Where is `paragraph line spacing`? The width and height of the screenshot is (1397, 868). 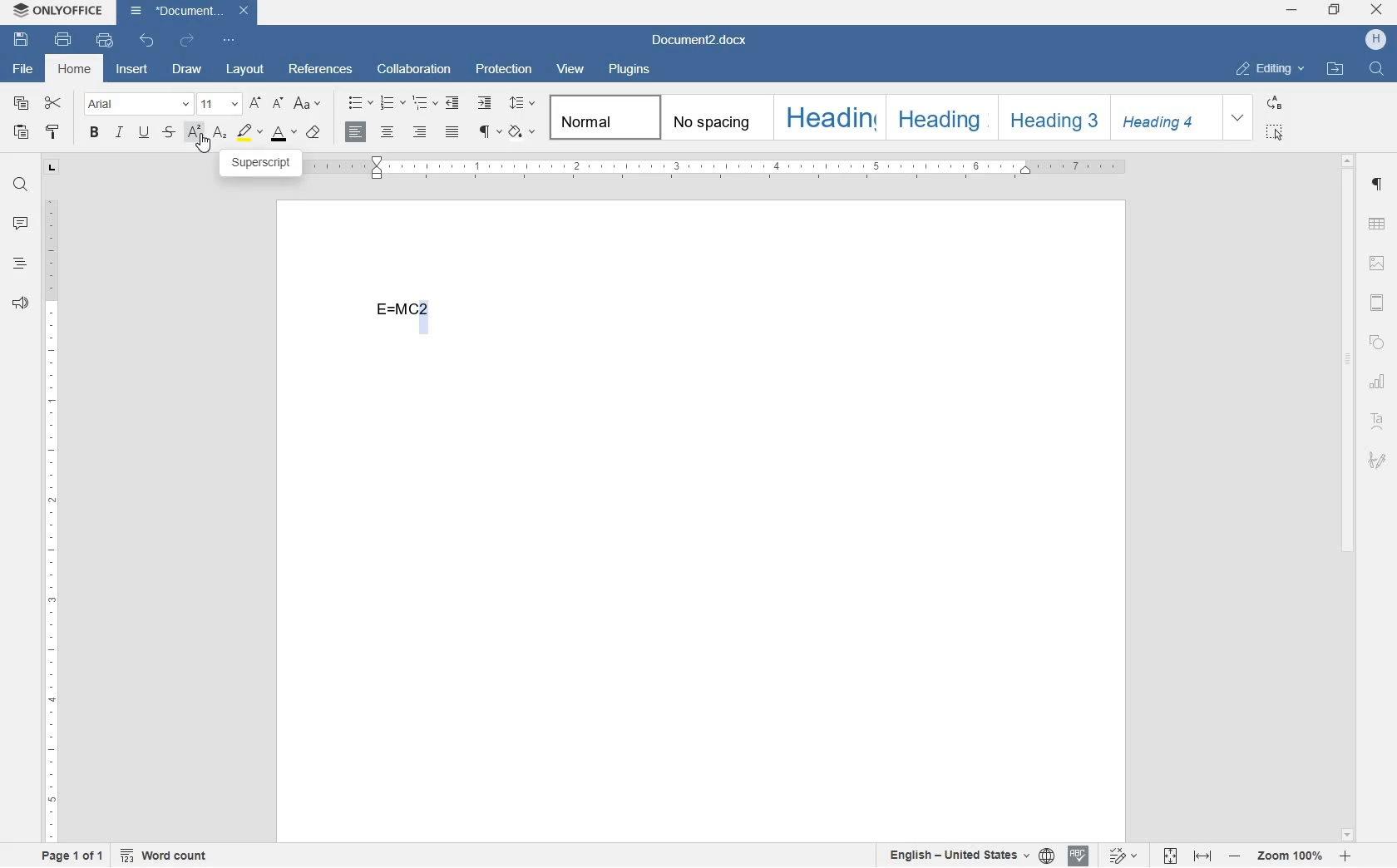 paragraph line spacing is located at coordinates (521, 103).